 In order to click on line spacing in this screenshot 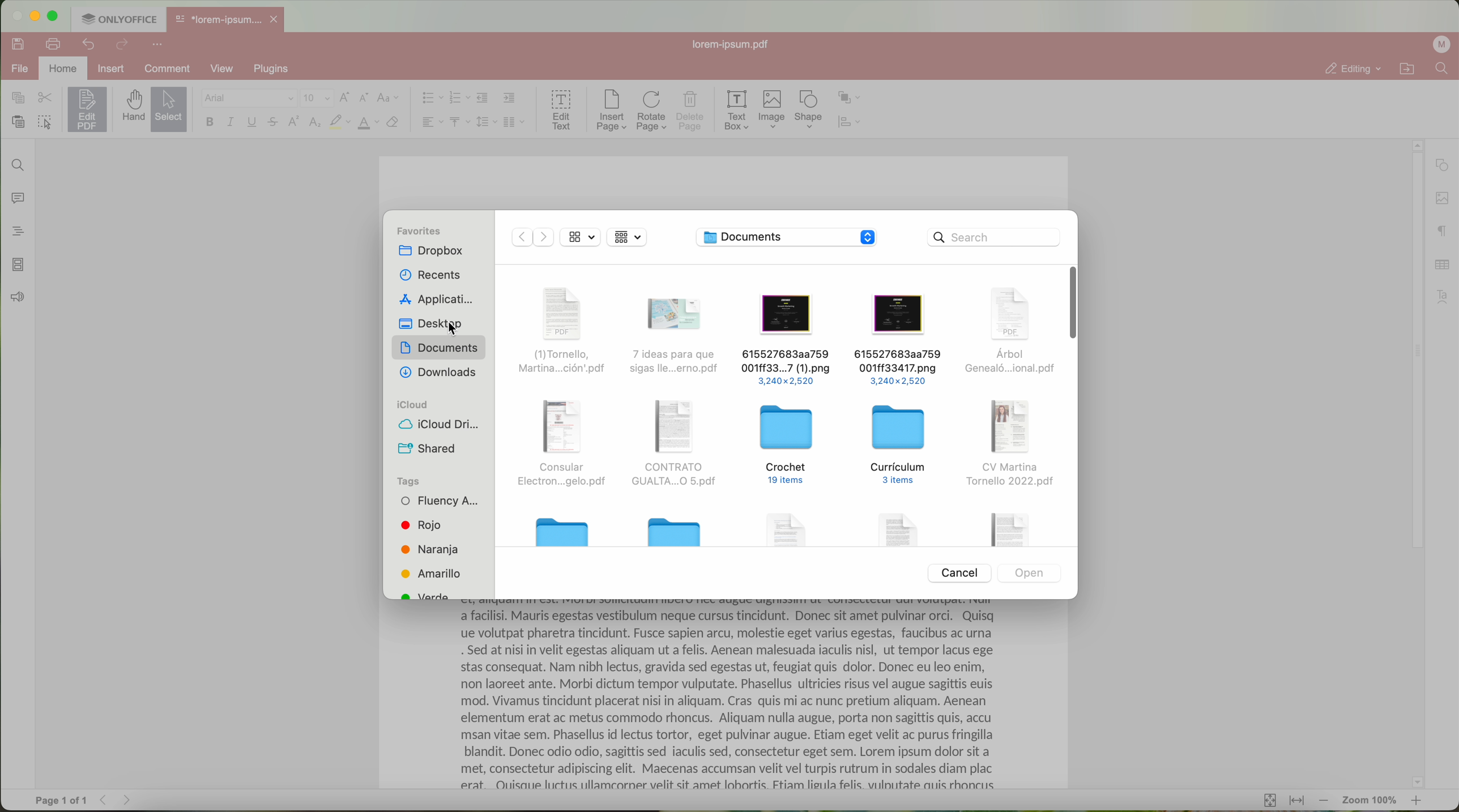, I will do `click(487, 122)`.